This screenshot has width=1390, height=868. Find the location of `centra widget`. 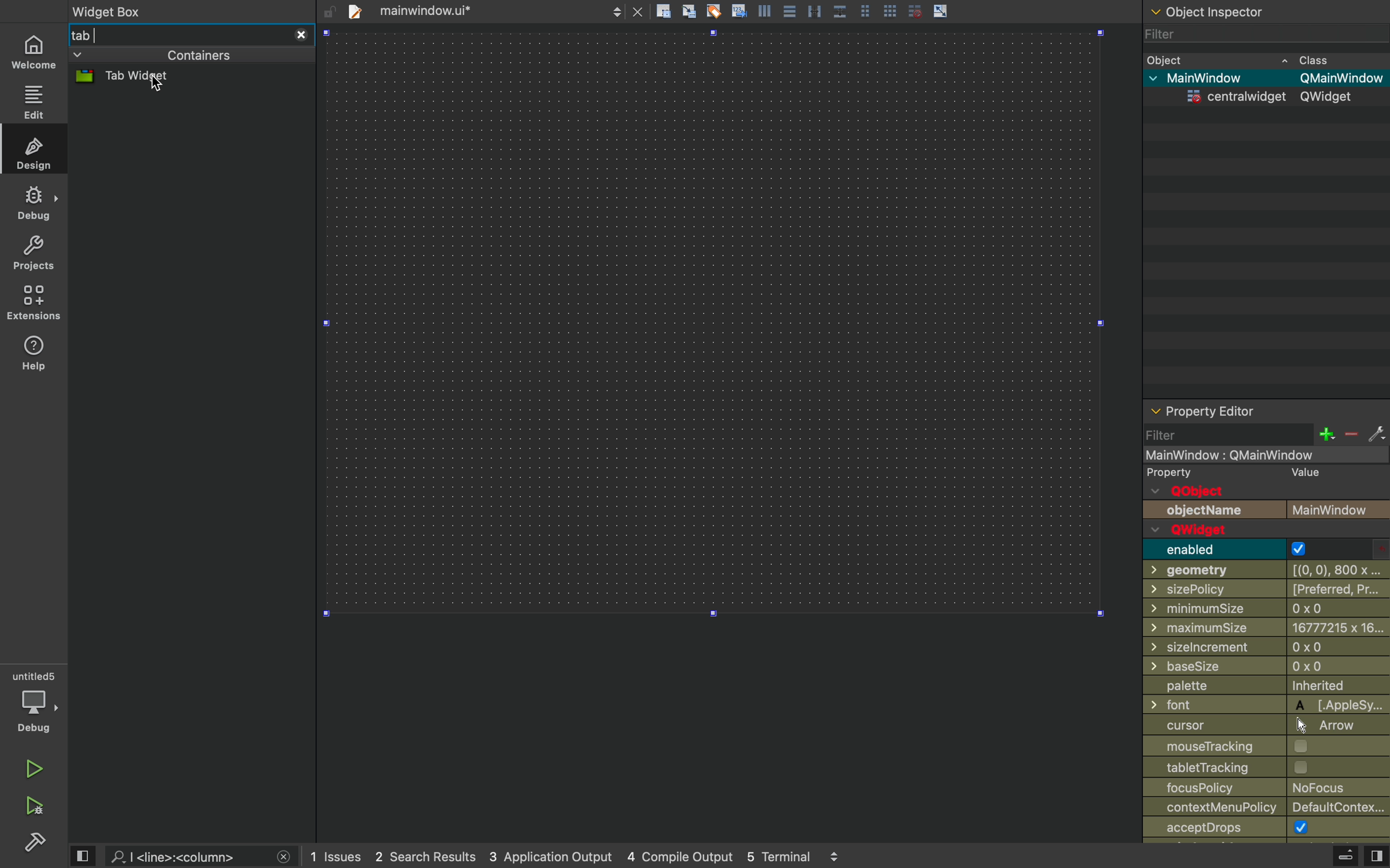

centra widget is located at coordinates (1262, 99).